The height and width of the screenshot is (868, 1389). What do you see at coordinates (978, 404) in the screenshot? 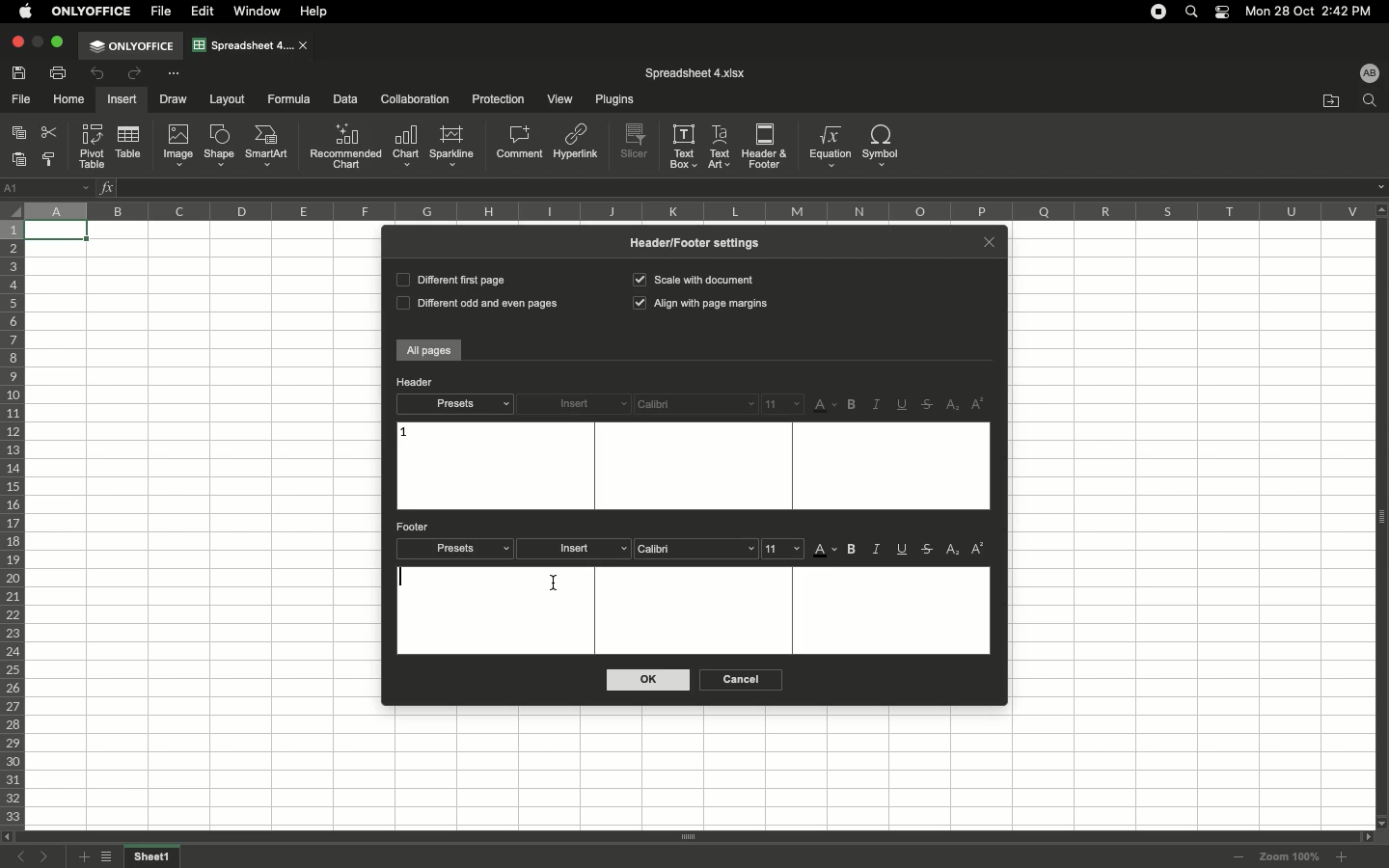
I see `Superscript` at bounding box center [978, 404].